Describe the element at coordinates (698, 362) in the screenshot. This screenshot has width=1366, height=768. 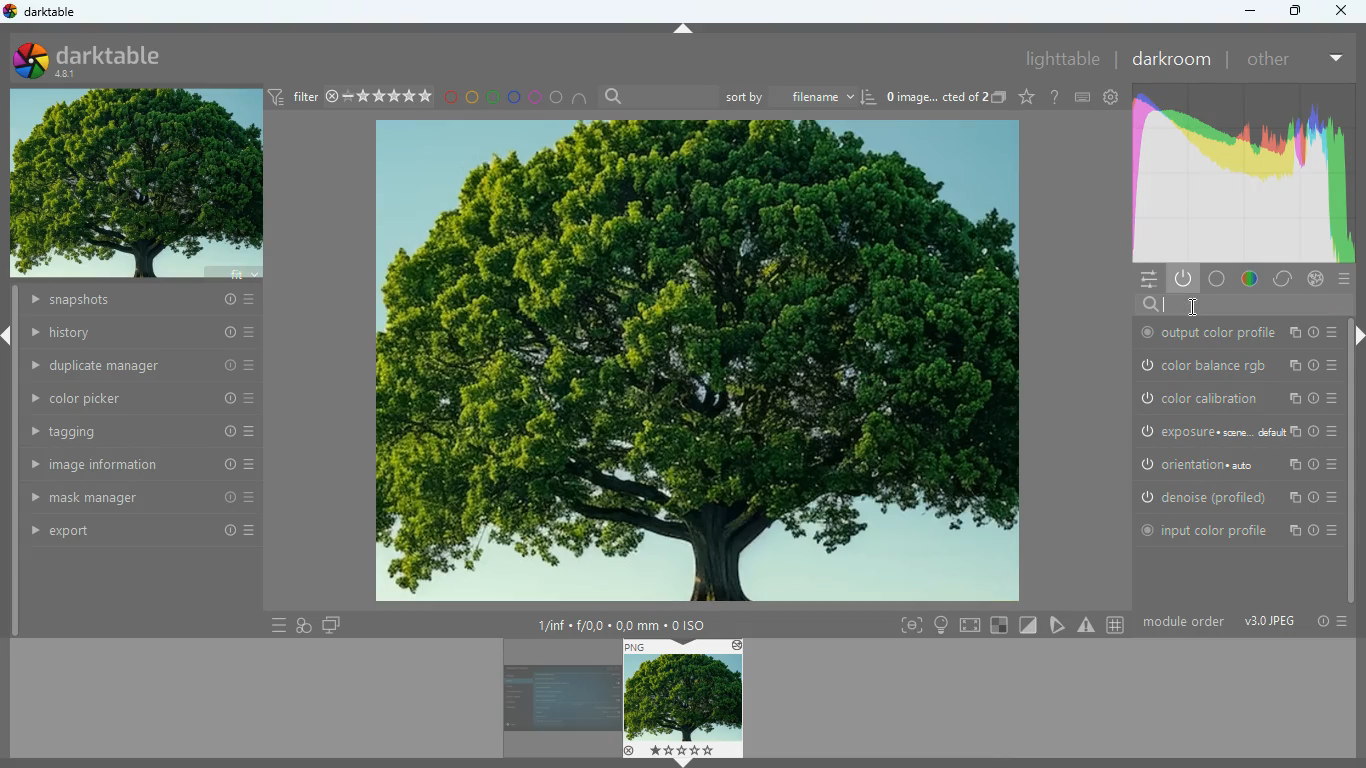
I see `image` at that location.